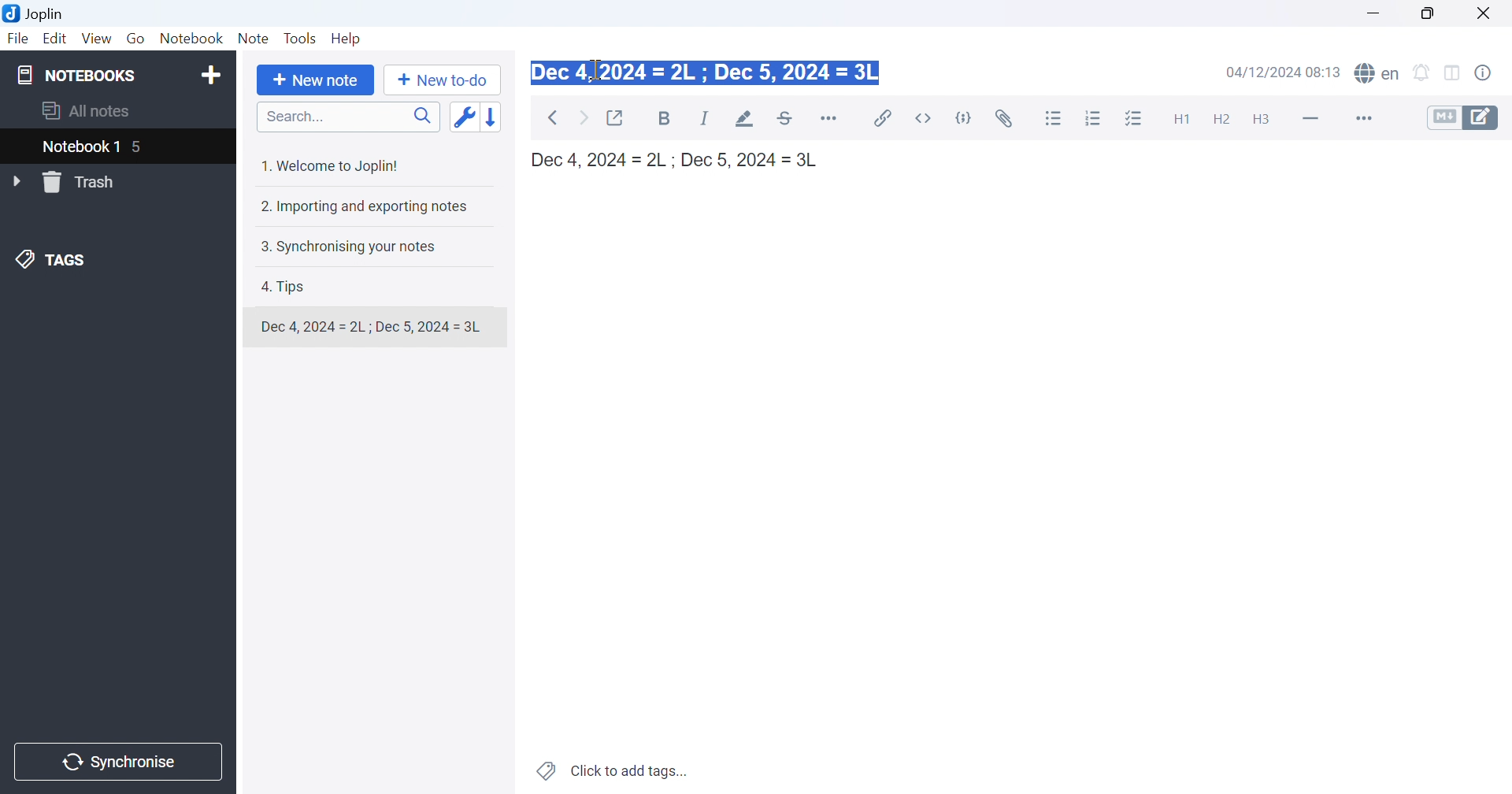  I want to click on Notebook 1, so click(81, 147).